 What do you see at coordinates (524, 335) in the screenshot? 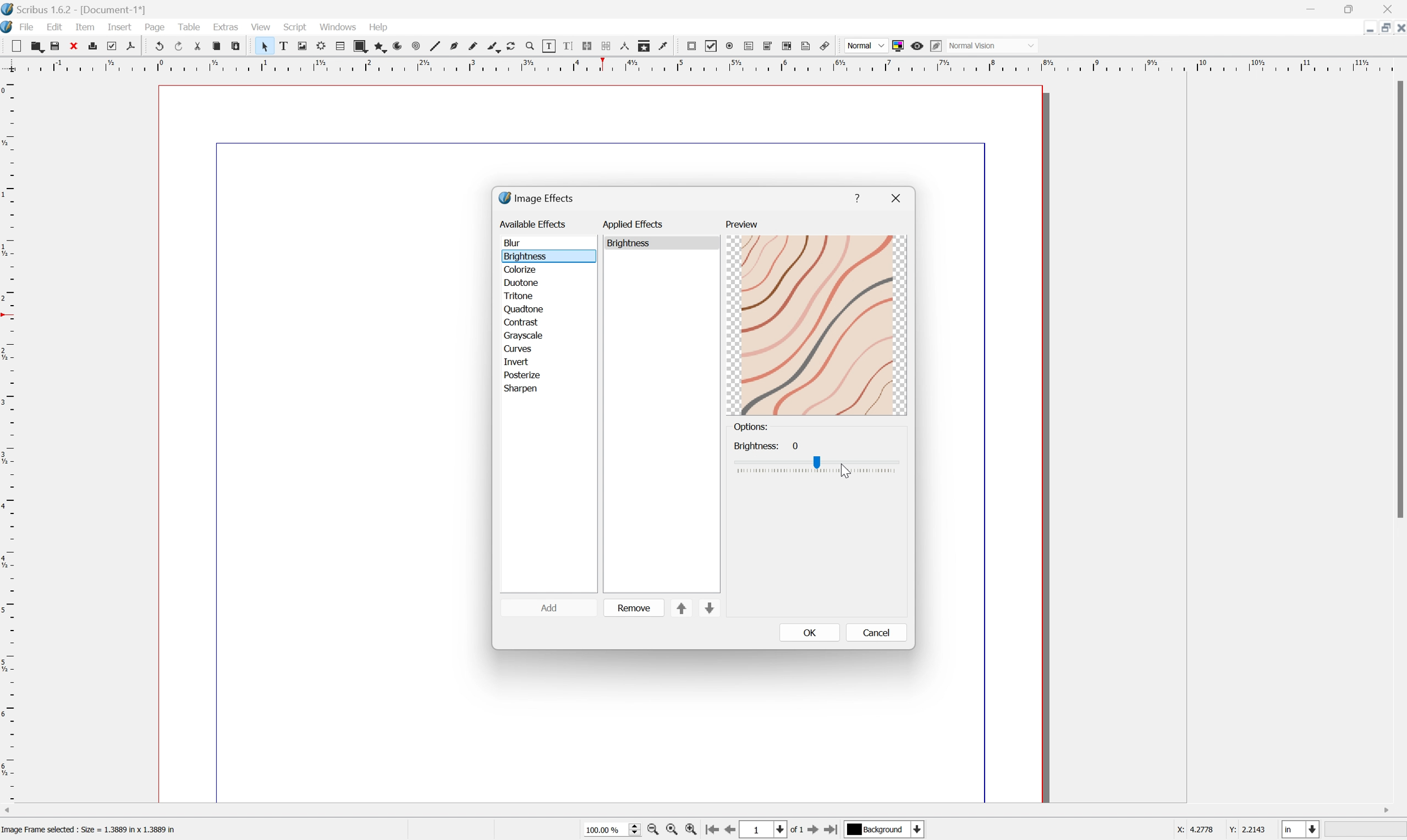
I see `grayscale` at bounding box center [524, 335].